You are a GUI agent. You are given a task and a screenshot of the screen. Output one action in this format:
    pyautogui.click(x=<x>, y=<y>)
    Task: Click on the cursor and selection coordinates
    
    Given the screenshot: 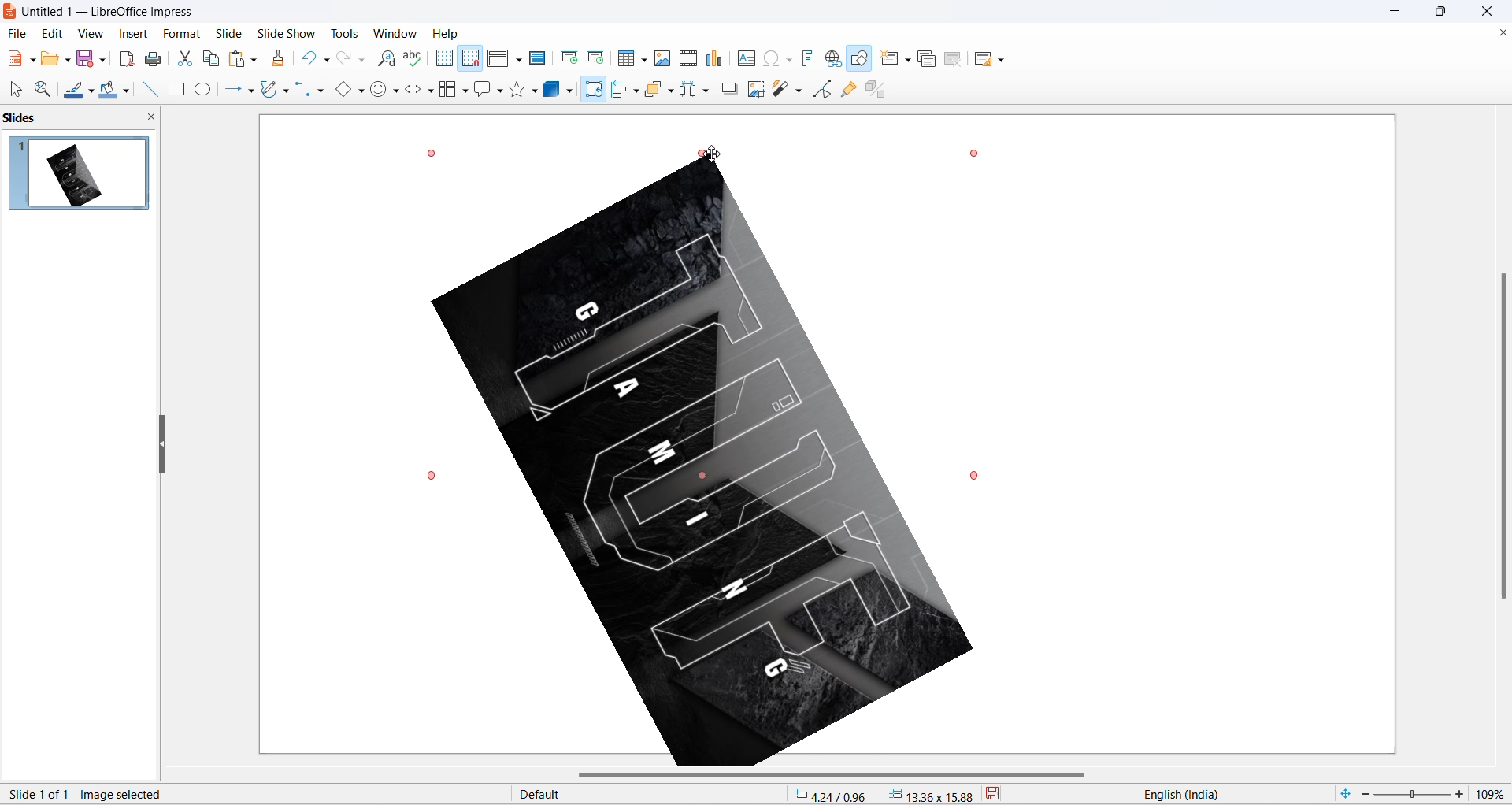 What is the action you would take?
    pyautogui.click(x=884, y=795)
    